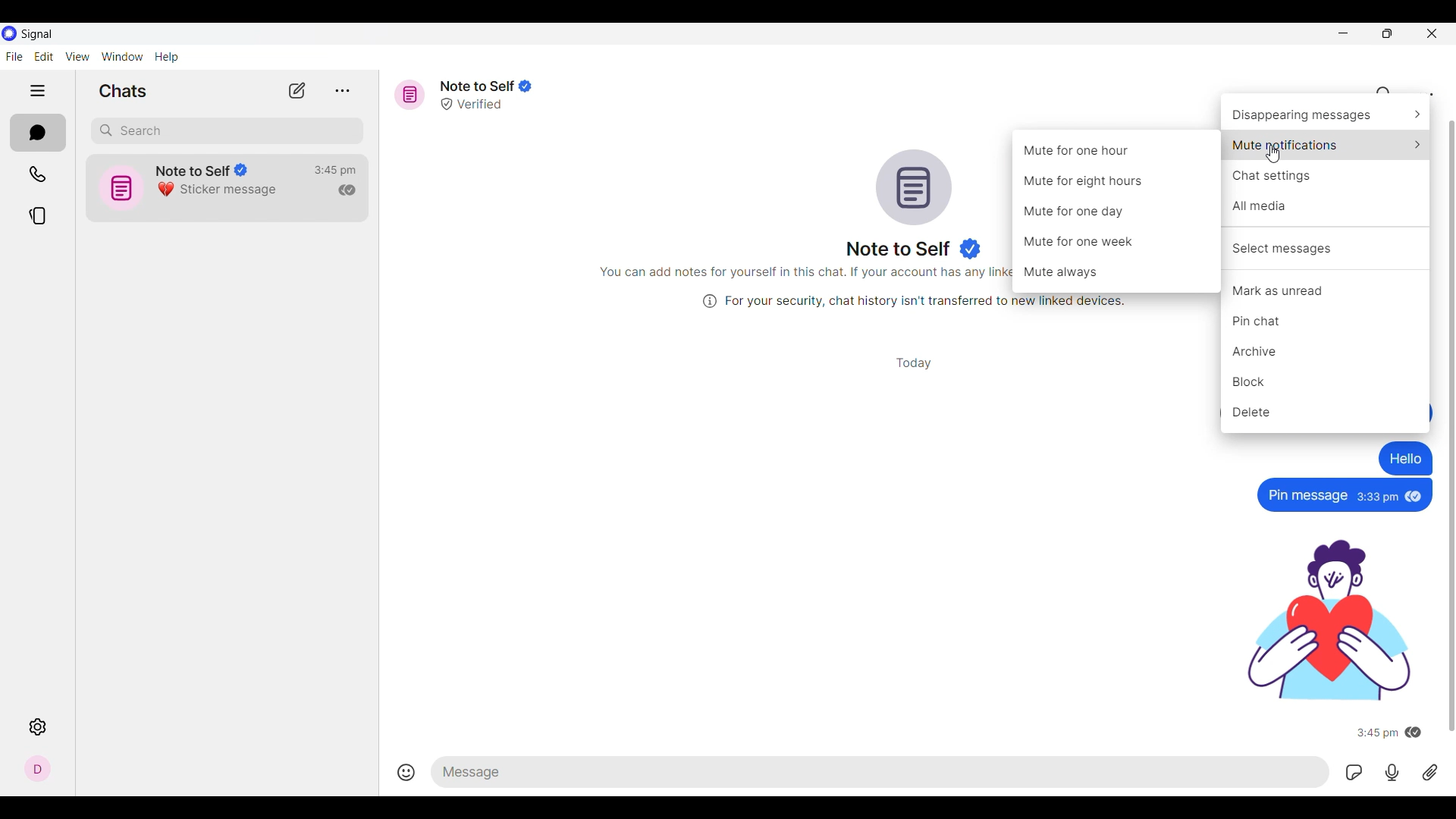 The height and width of the screenshot is (819, 1456). Describe the element at coordinates (409, 95) in the screenshot. I see `Message icon` at that location.